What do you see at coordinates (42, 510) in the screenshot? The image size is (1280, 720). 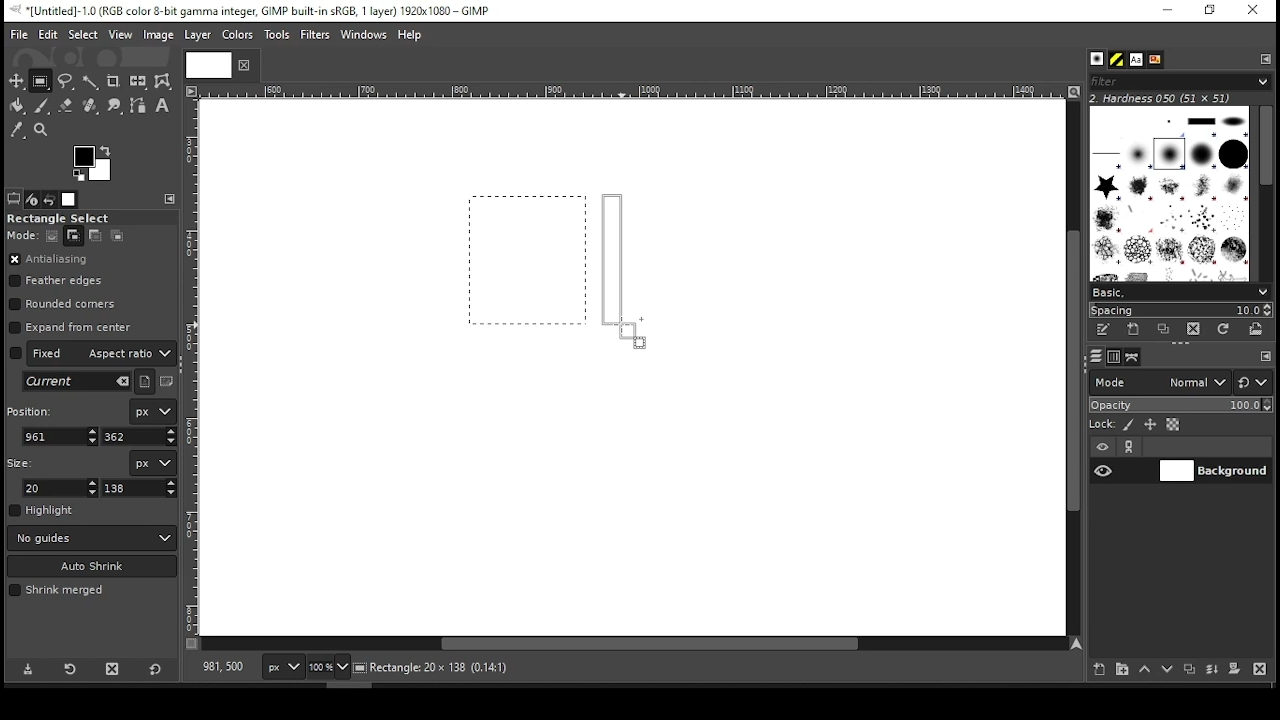 I see `highlight` at bounding box center [42, 510].